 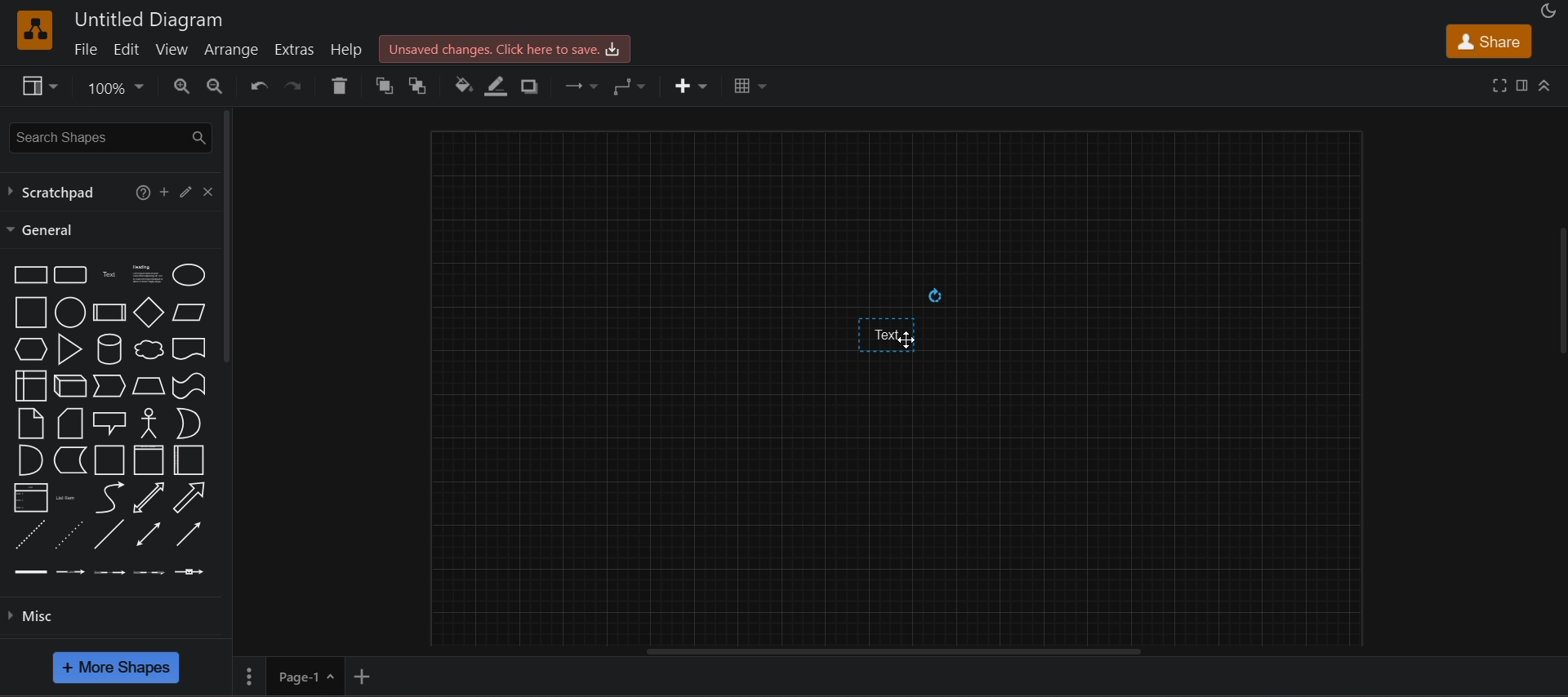 What do you see at coordinates (164, 191) in the screenshot?
I see `add` at bounding box center [164, 191].